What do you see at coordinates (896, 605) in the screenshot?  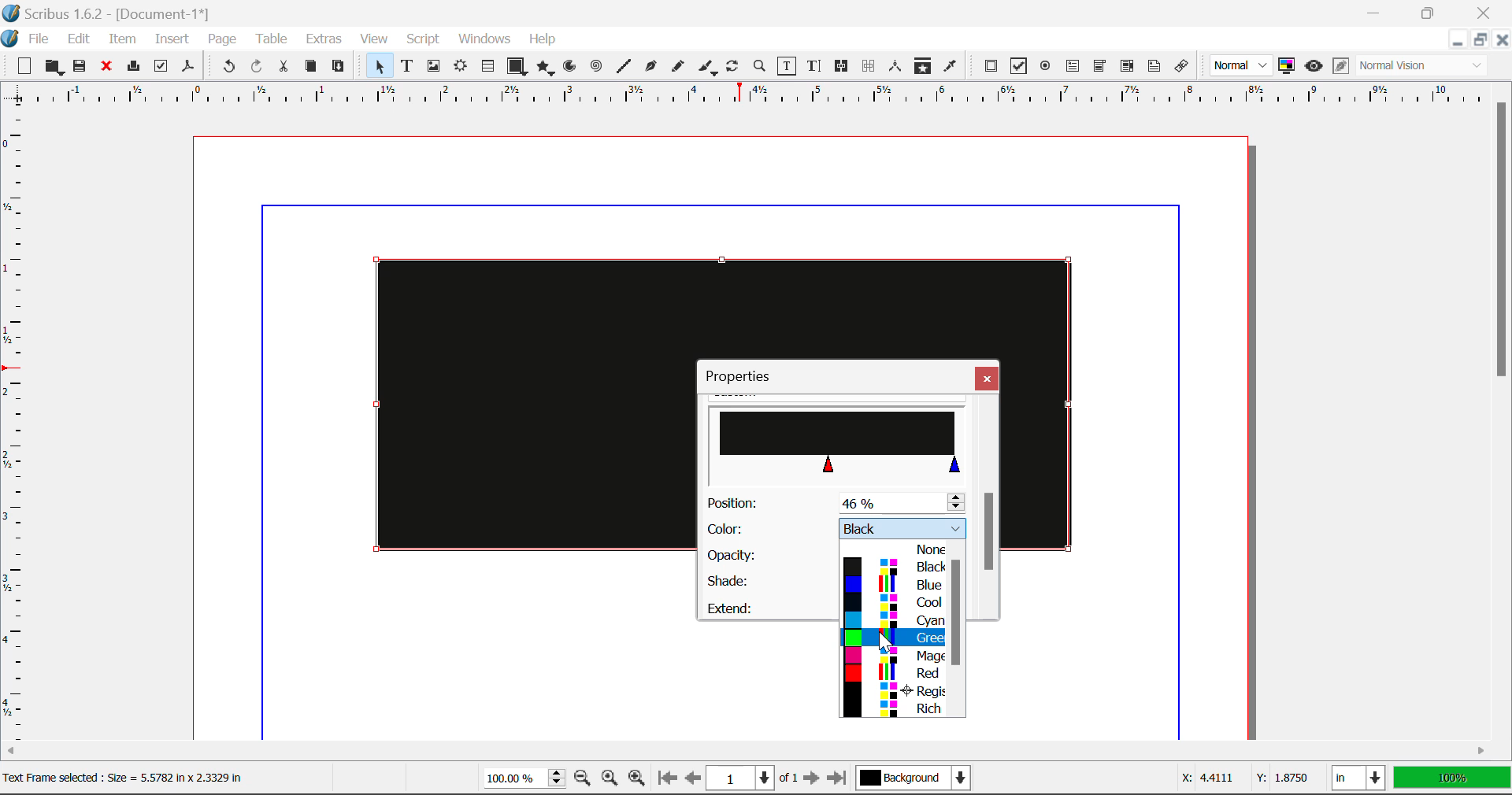 I see `Cool Blue` at bounding box center [896, 605].